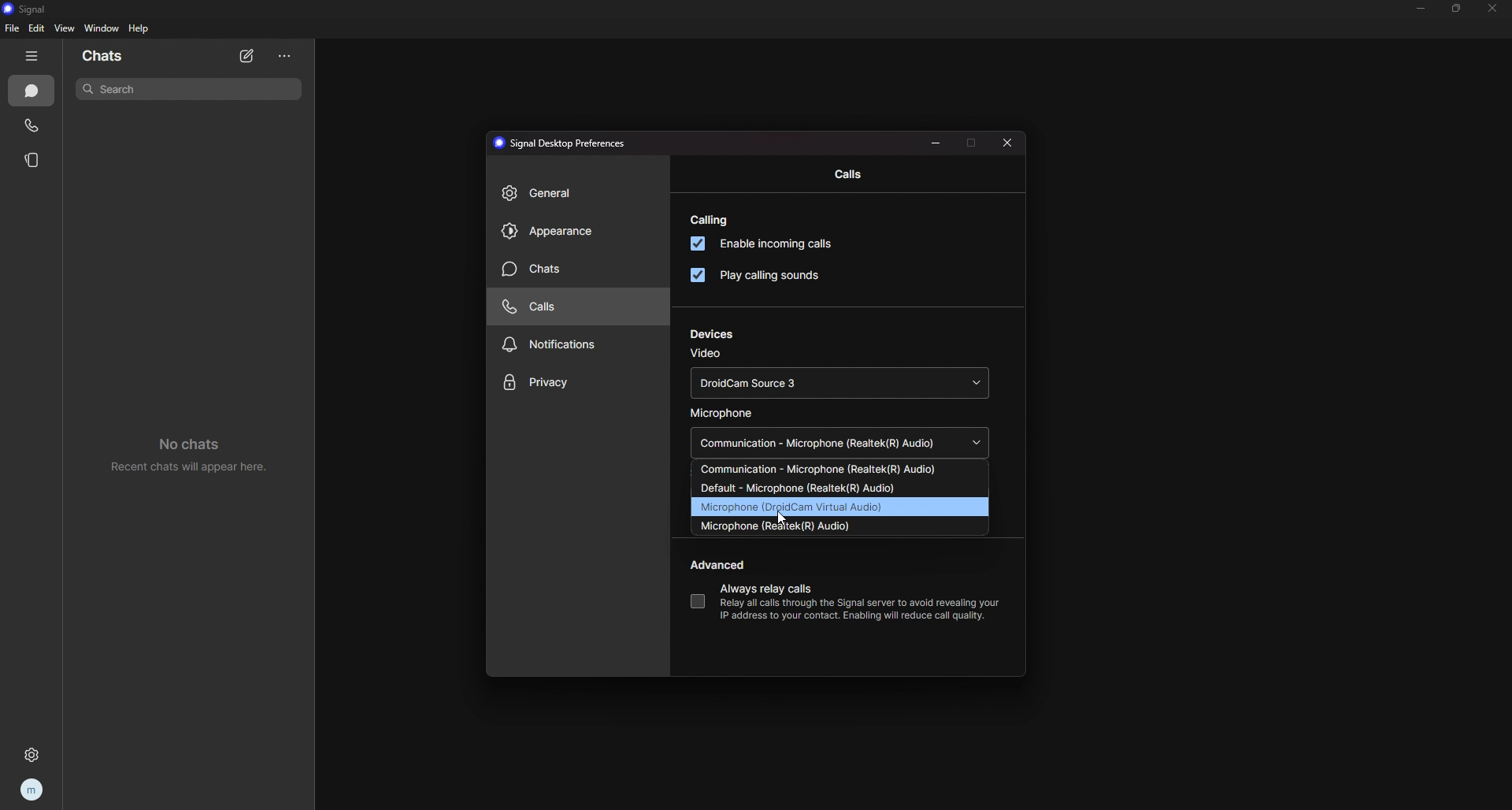  Describe the element at coordinates (851, 610) in the screenshot. I see `description` at that location.